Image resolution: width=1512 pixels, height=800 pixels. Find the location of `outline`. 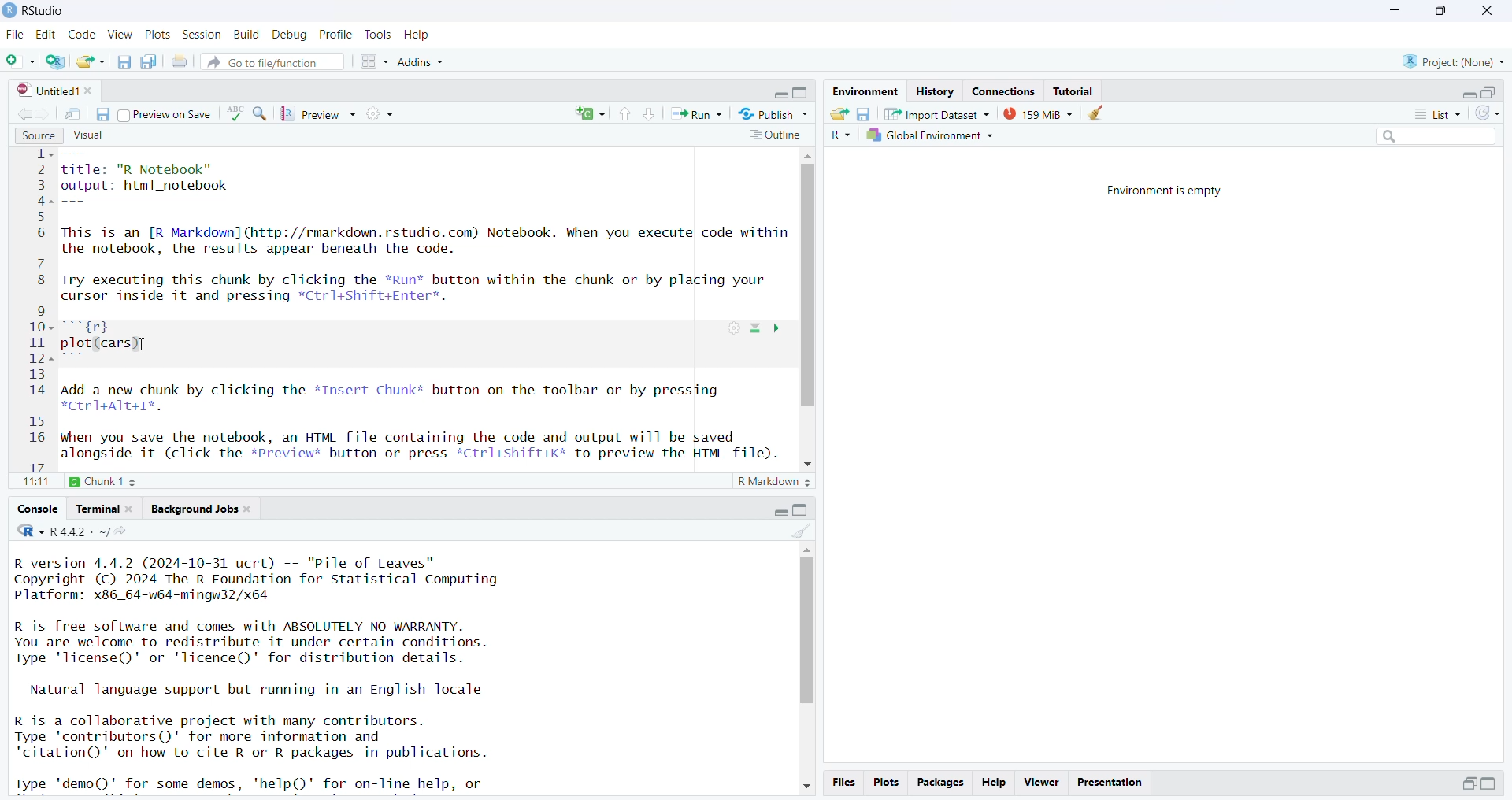

outline is located at coordinates (774, 136).